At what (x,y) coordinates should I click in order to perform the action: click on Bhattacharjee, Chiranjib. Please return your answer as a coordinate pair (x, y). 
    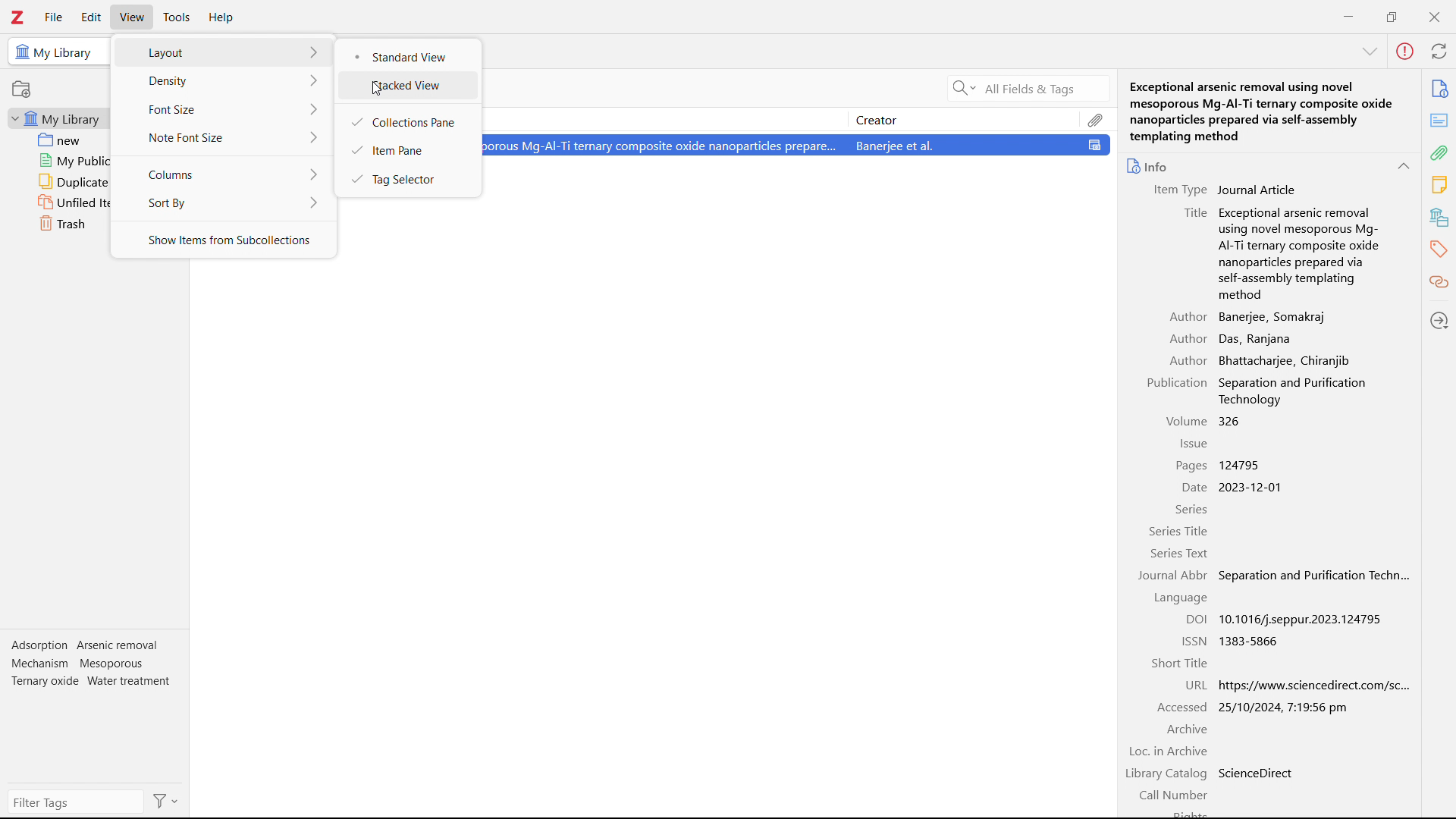
    Looking at the image, I should click on (1282, 359).